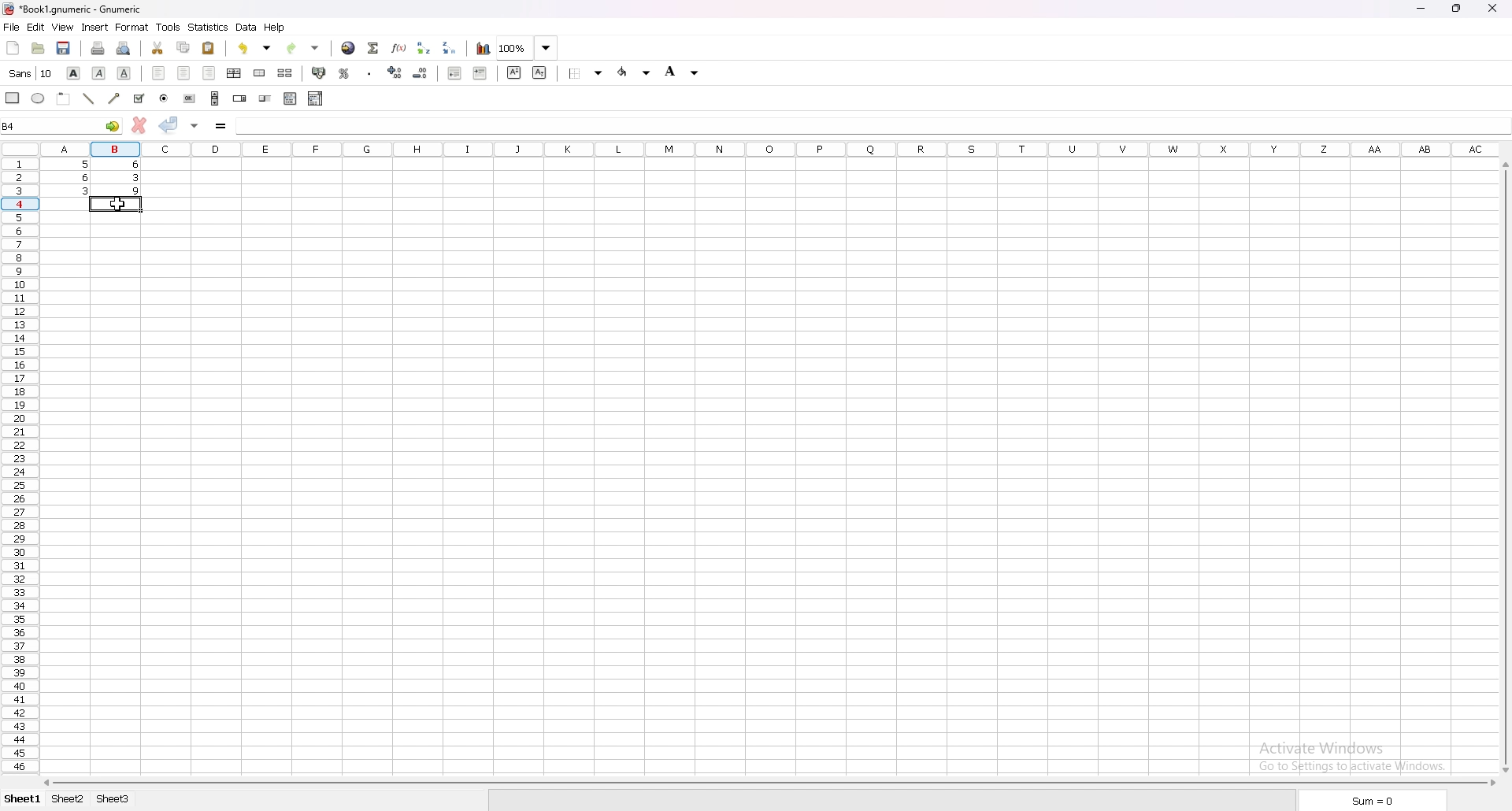 This screenshot has width=1512, height=811. I want to click on resize, so click(1456, 9).